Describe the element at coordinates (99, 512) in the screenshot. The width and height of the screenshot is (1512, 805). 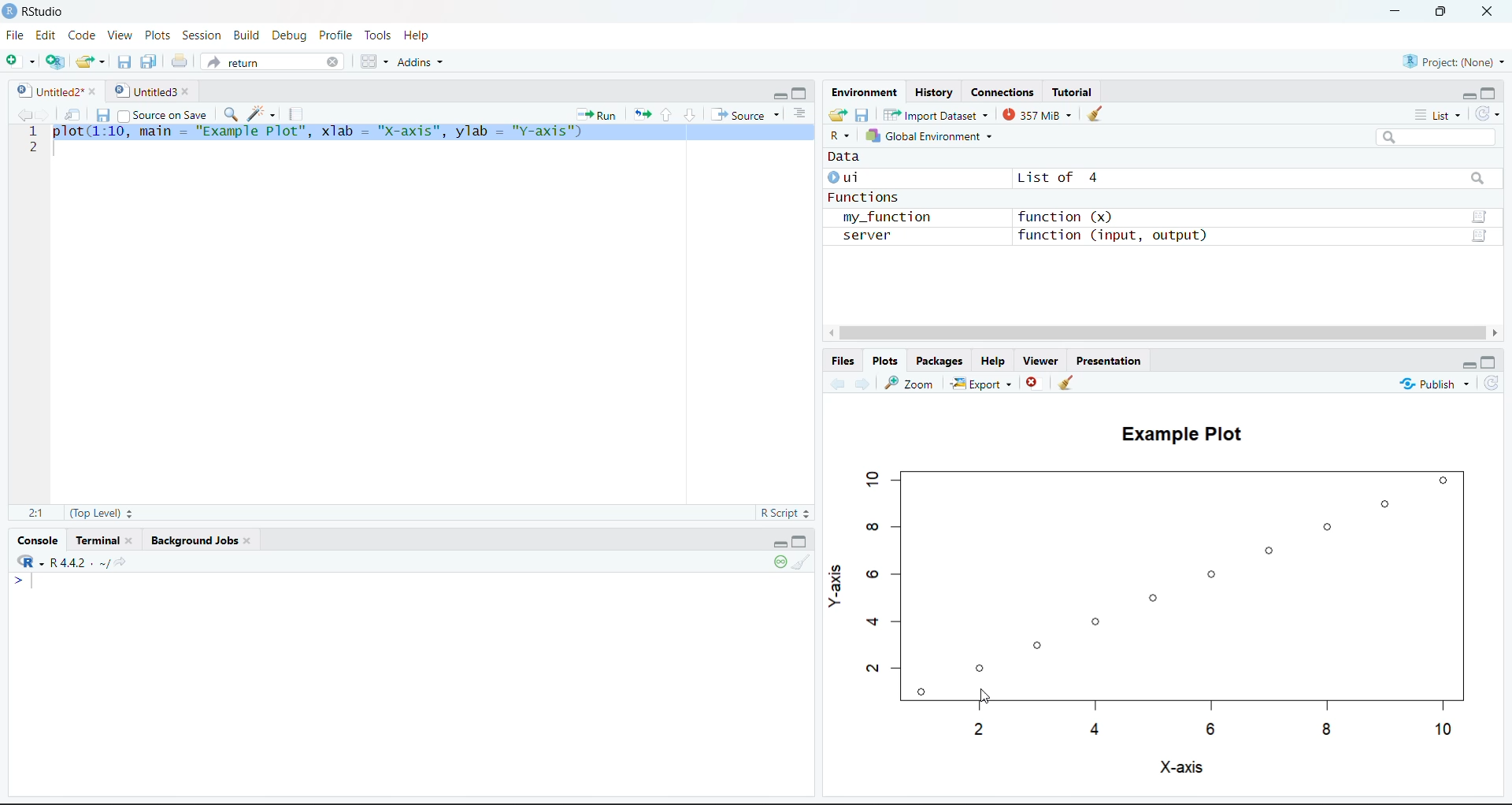
I see `(Top Level):` at that location.